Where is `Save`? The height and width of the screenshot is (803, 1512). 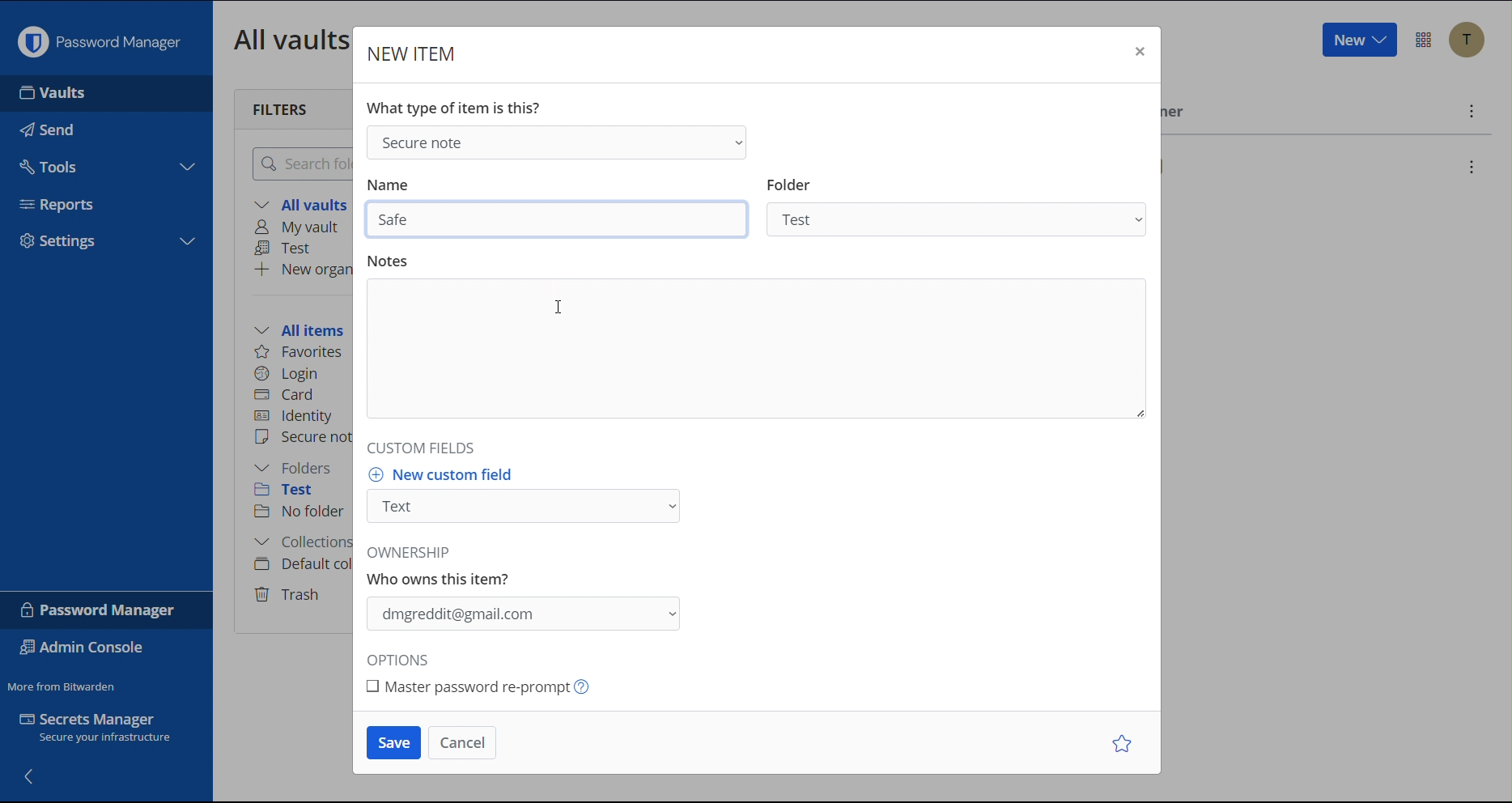
Save is located at coordinates (394, 743).